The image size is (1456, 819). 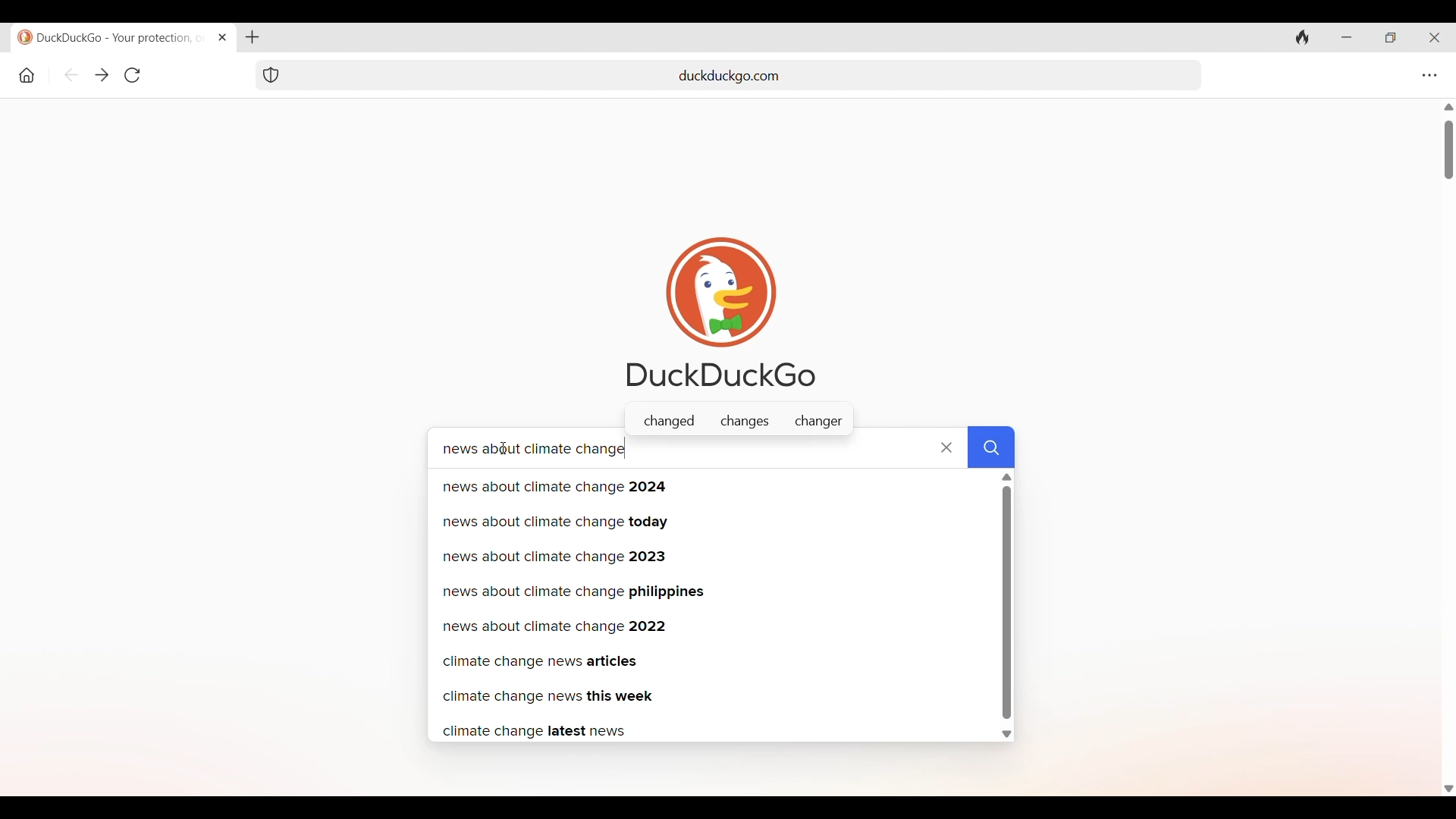 I want to click on Browser protection, so click(x=271, y=74).